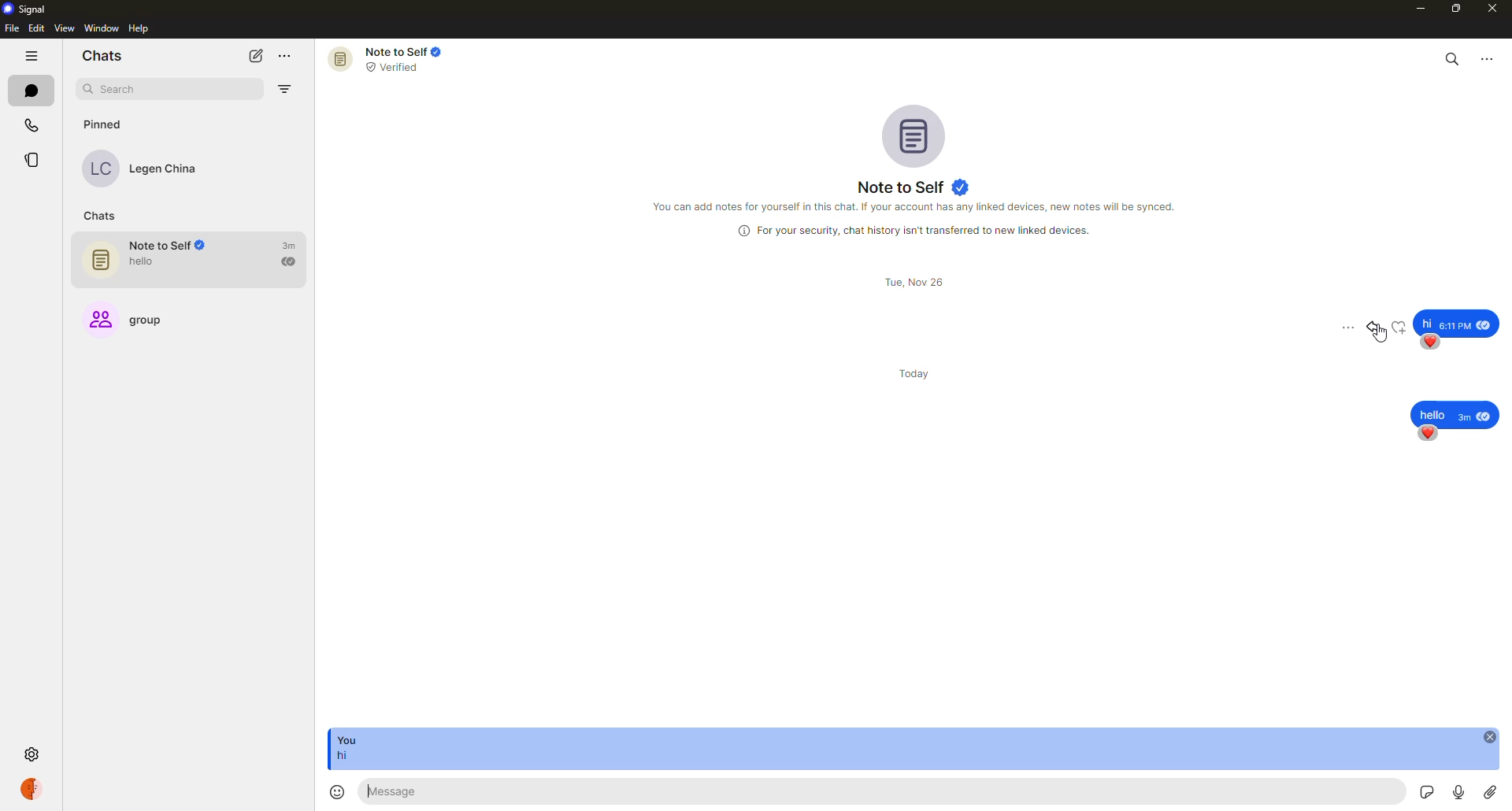 The height and width of the screenshot is (811, 1512). I want to click on day, so click(920, 372).